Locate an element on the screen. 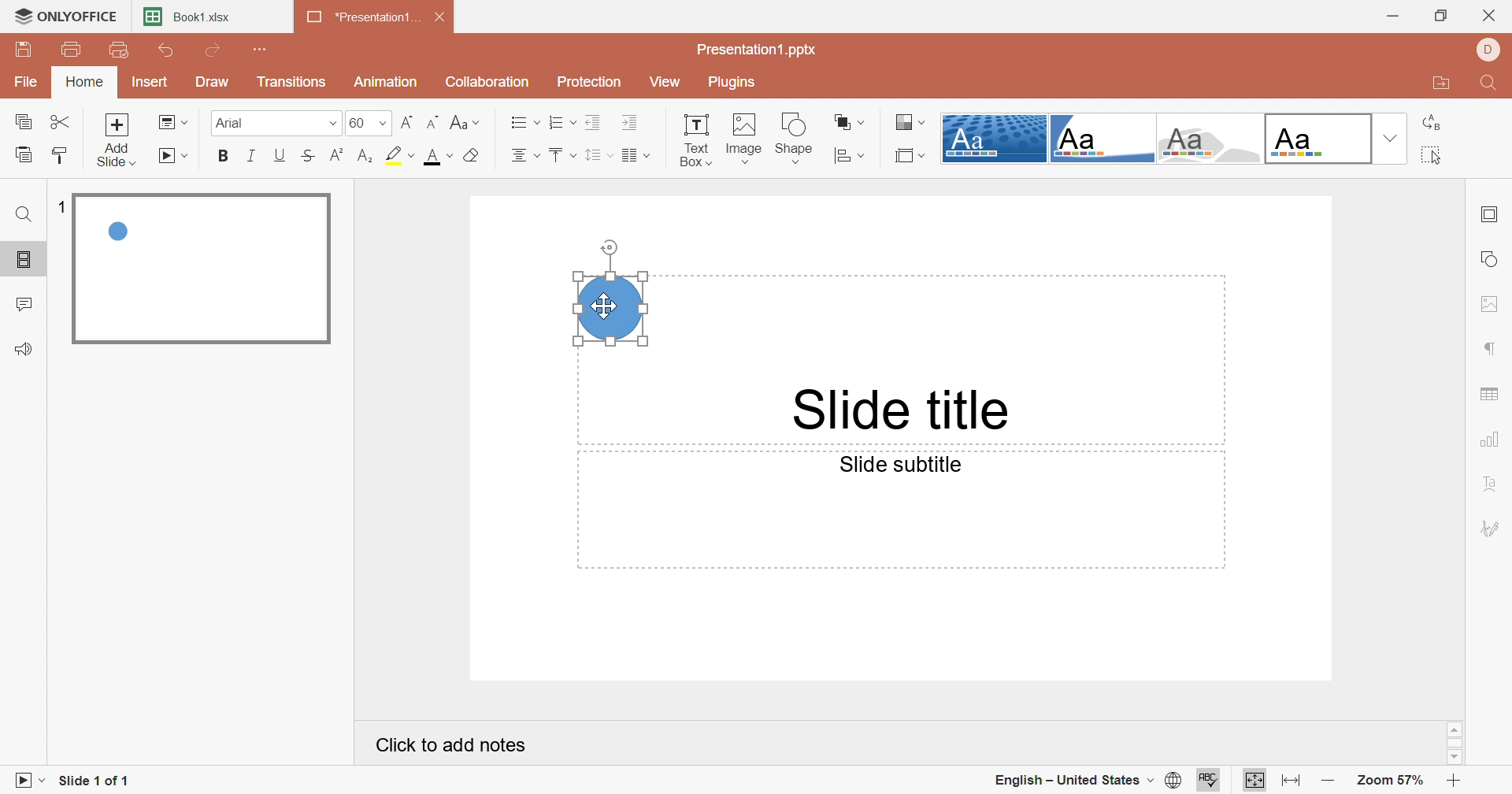 This screenshot has width=1512, height=794. Protection is located at coordinates (593, 82).